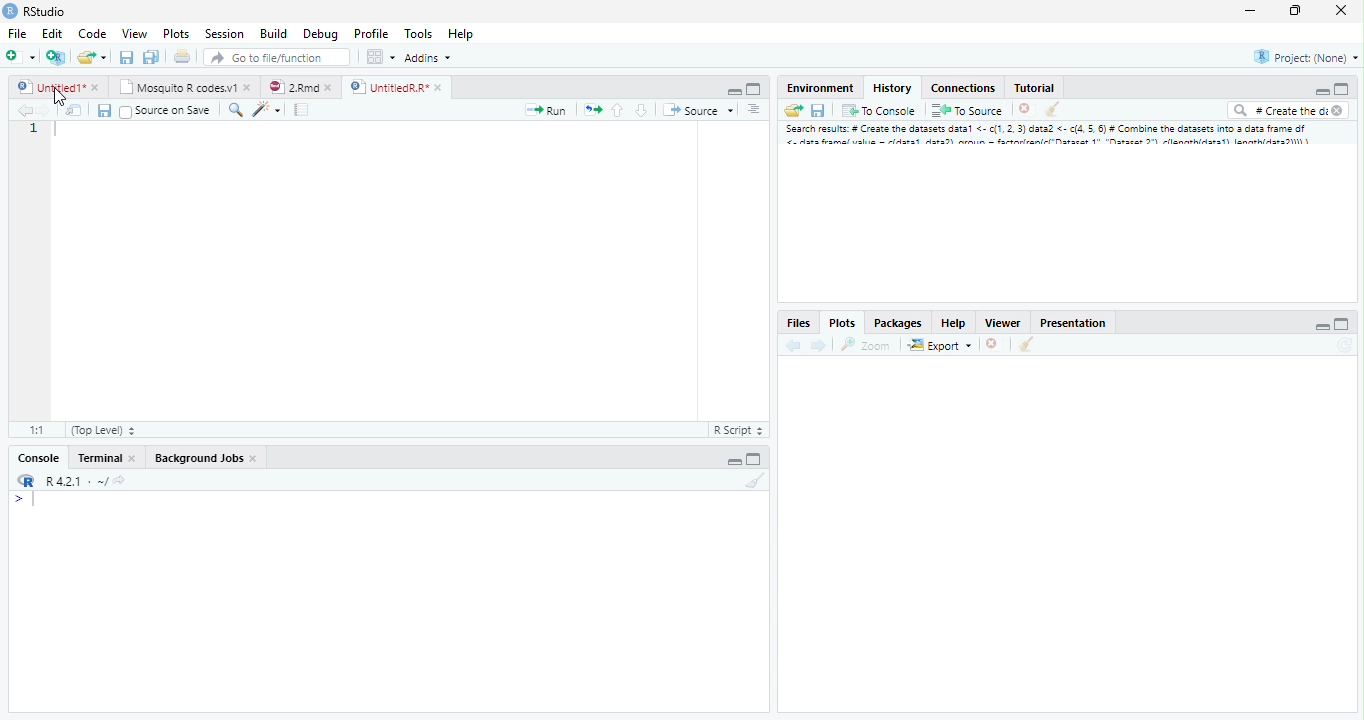 This screenshot has width=1364, height=720. I want to click on Zoom, so click(864, 346).